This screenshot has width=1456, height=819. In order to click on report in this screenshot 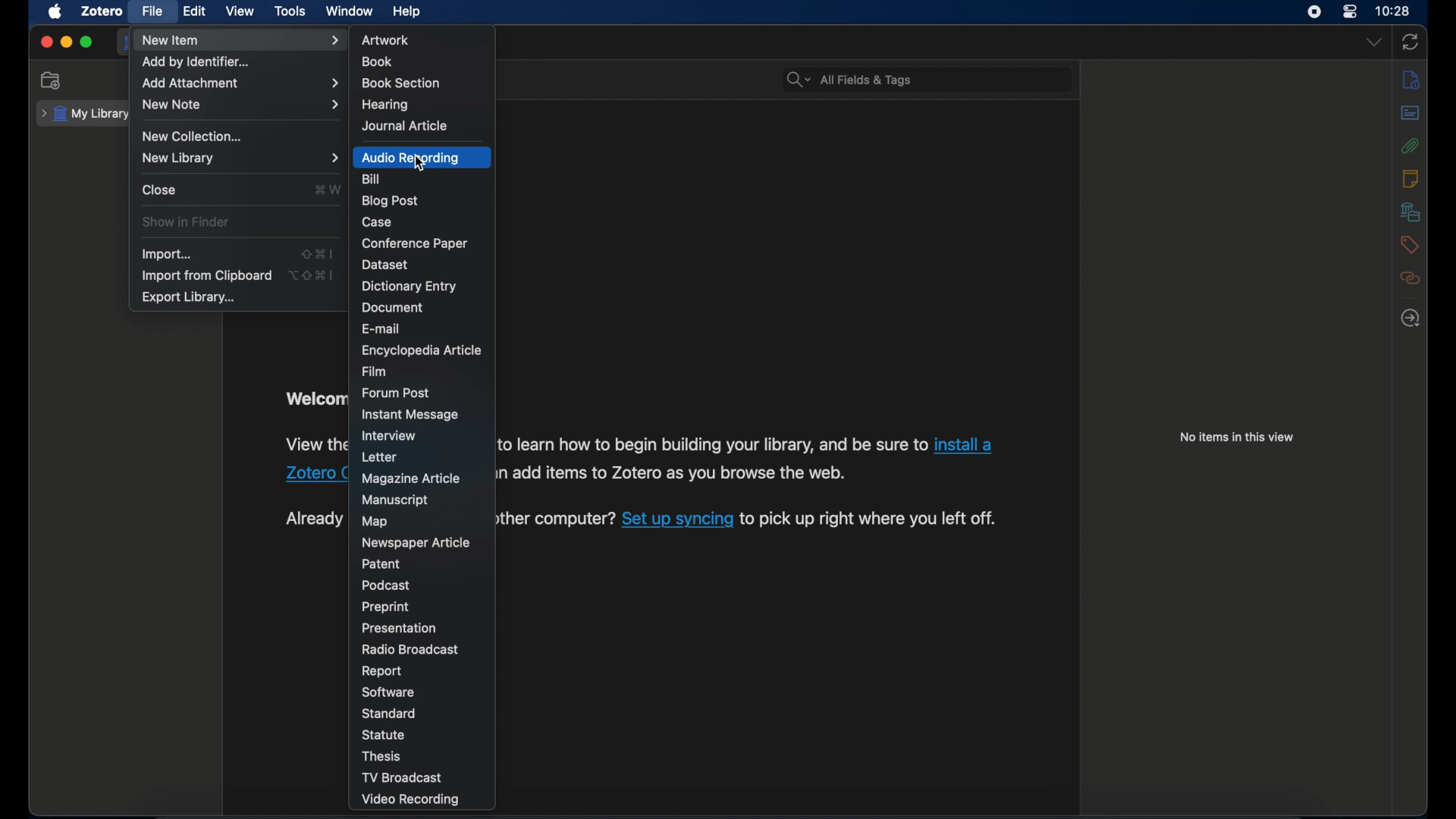, I will do `click(381, 672)`.